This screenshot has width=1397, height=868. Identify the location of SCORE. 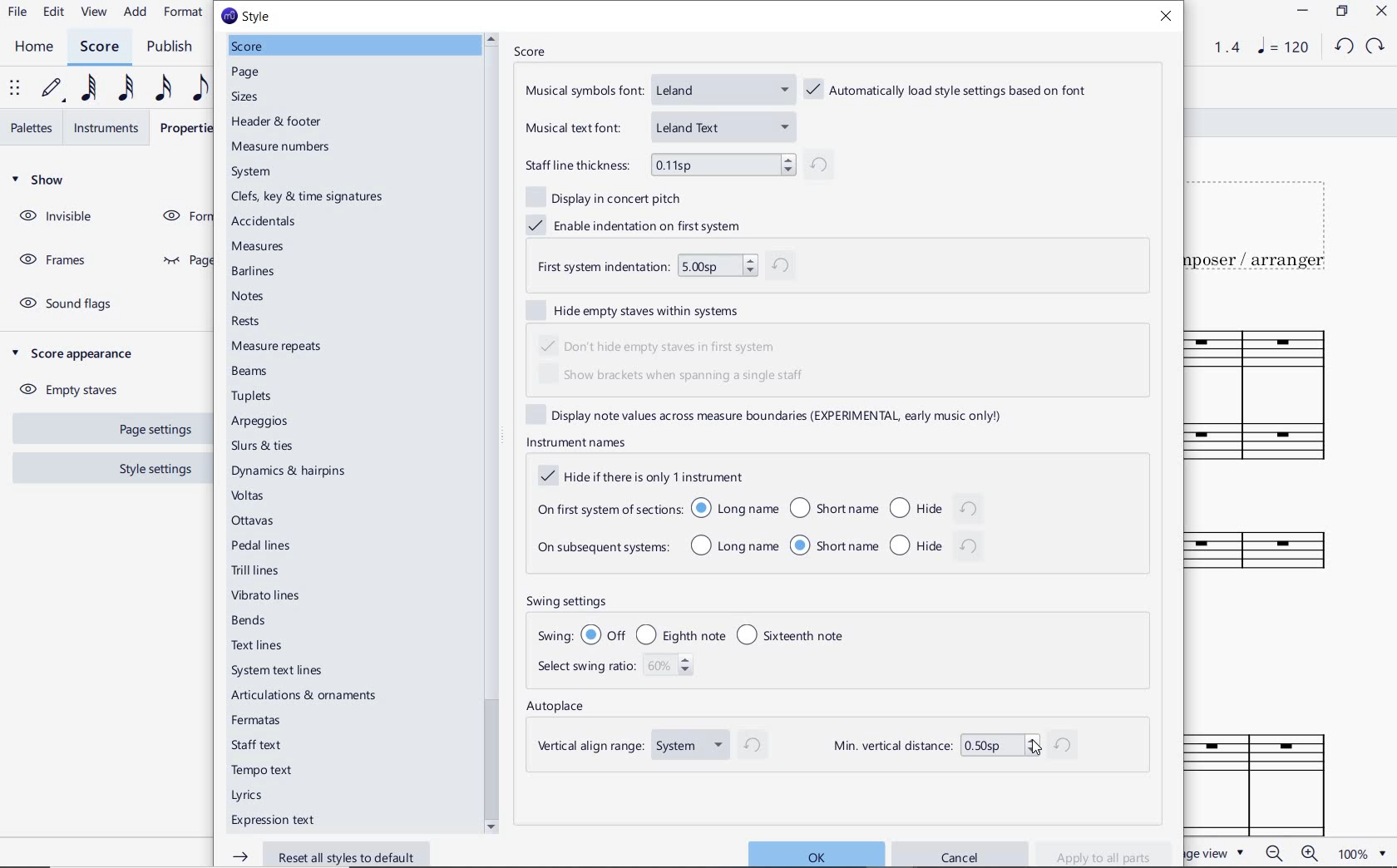
(100, 47).